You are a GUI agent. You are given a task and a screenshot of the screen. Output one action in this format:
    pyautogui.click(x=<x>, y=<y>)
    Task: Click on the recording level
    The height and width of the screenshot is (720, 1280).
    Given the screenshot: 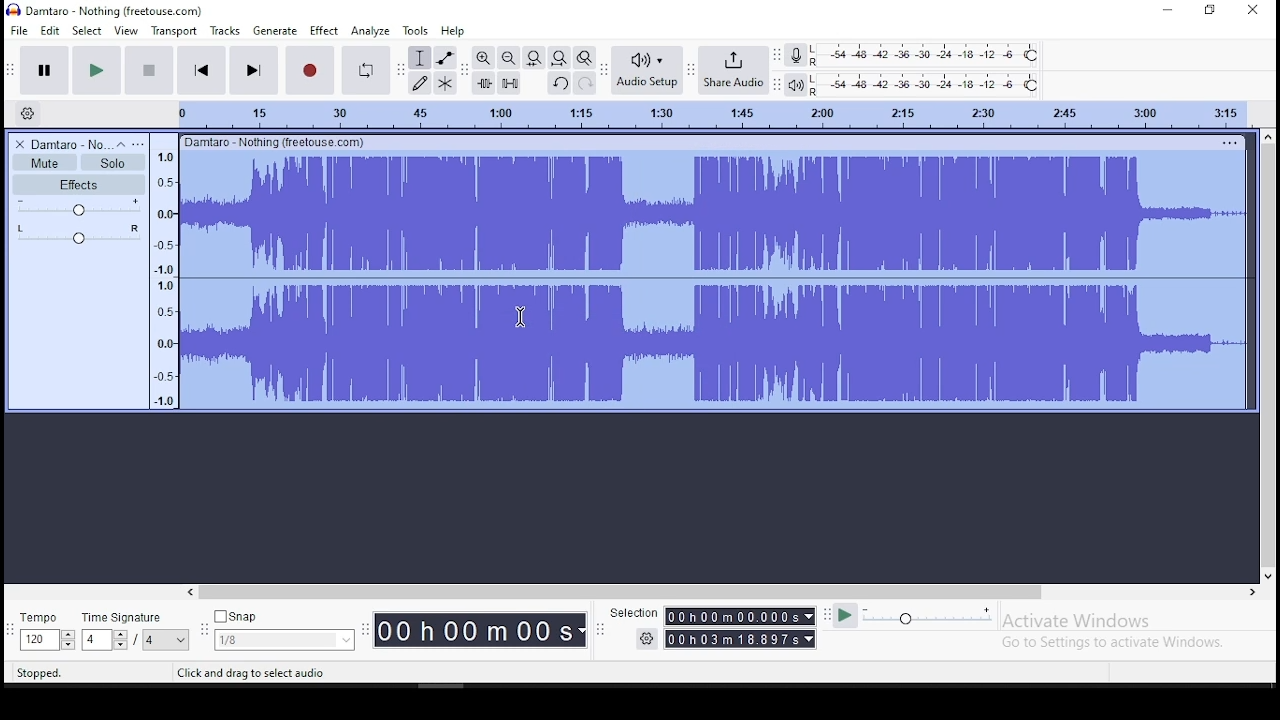 What is the action you would take?
    pyautogui.click(x=925, y=55)
    